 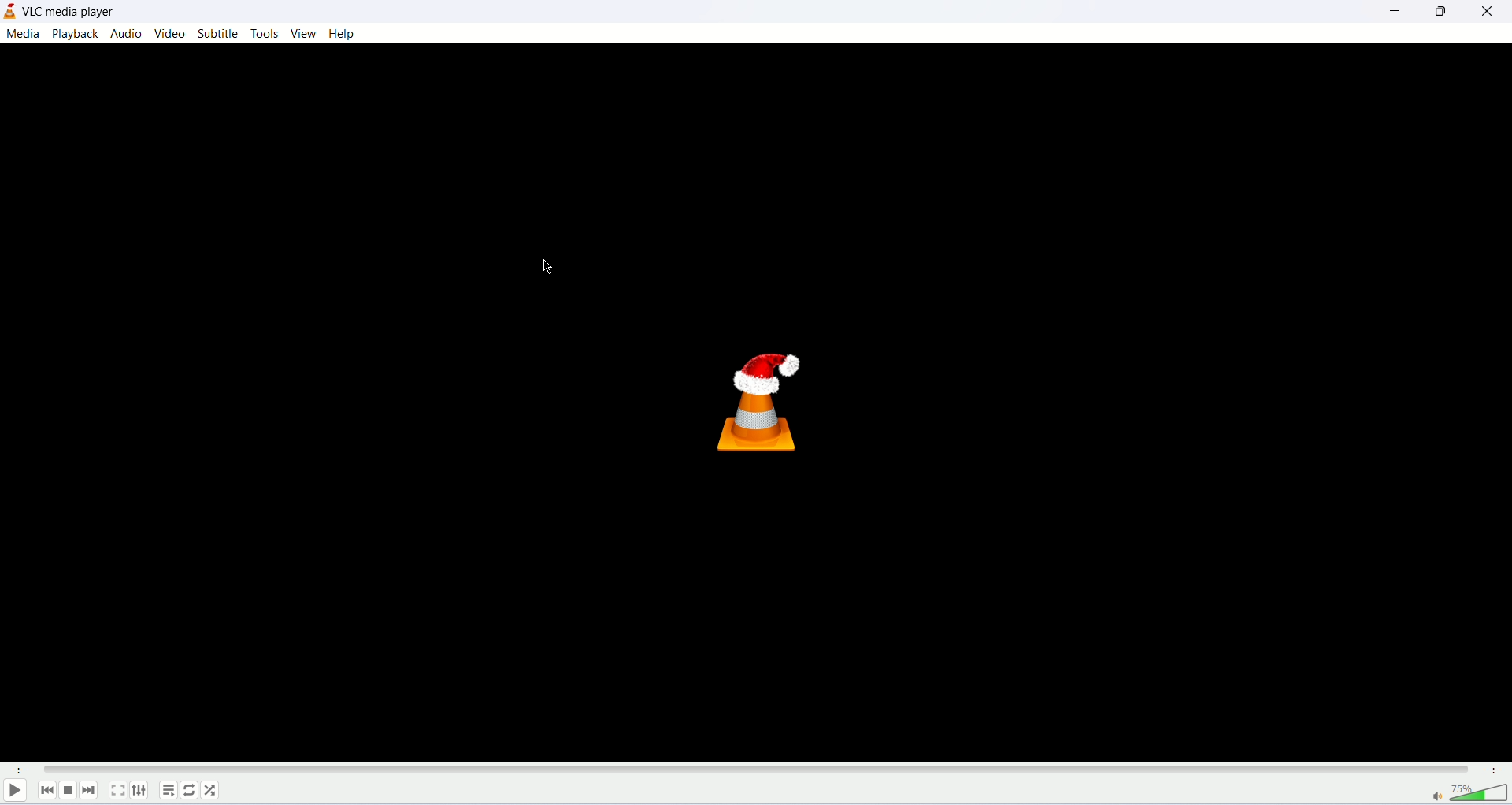 What do you see at coordinates (1391, 14) in the screenshot?
I see `minimize` at bounding box center [1391, 14].